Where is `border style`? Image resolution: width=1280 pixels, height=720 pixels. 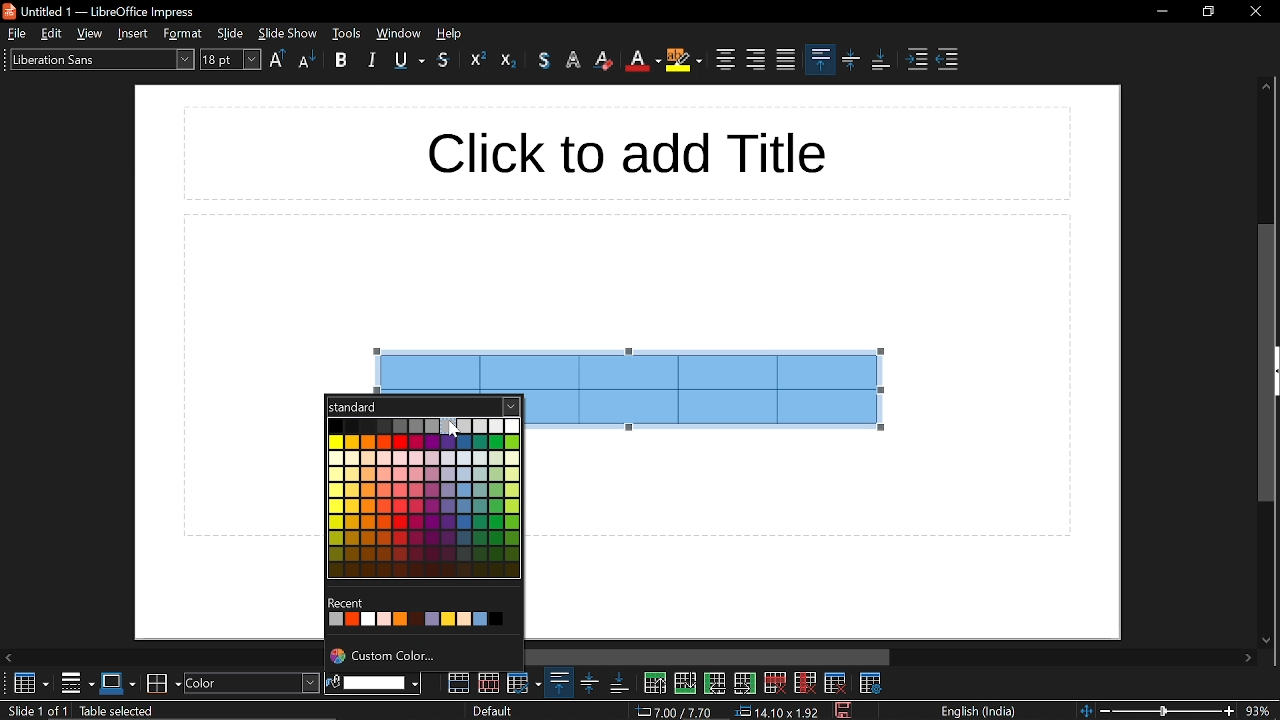 border style is located at coordinates (119, 683).